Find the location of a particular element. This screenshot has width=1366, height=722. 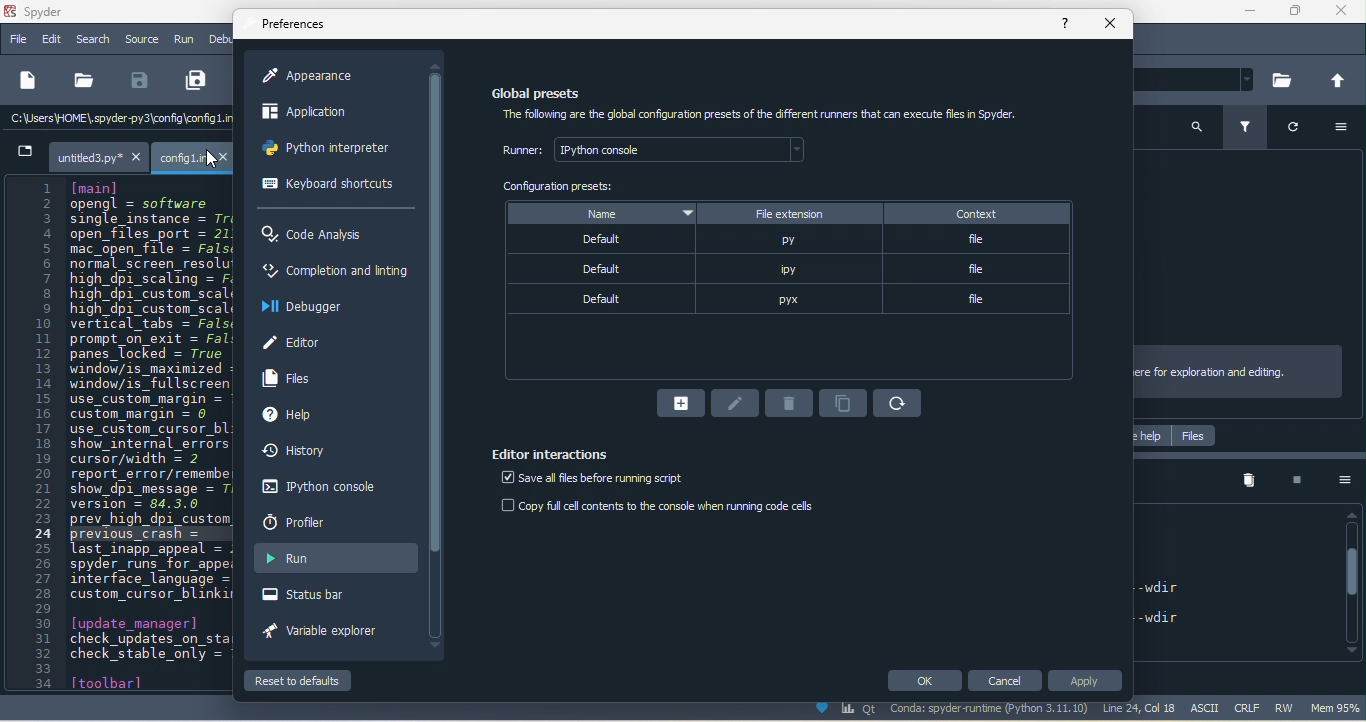

history is located at coordinates (318, 452).